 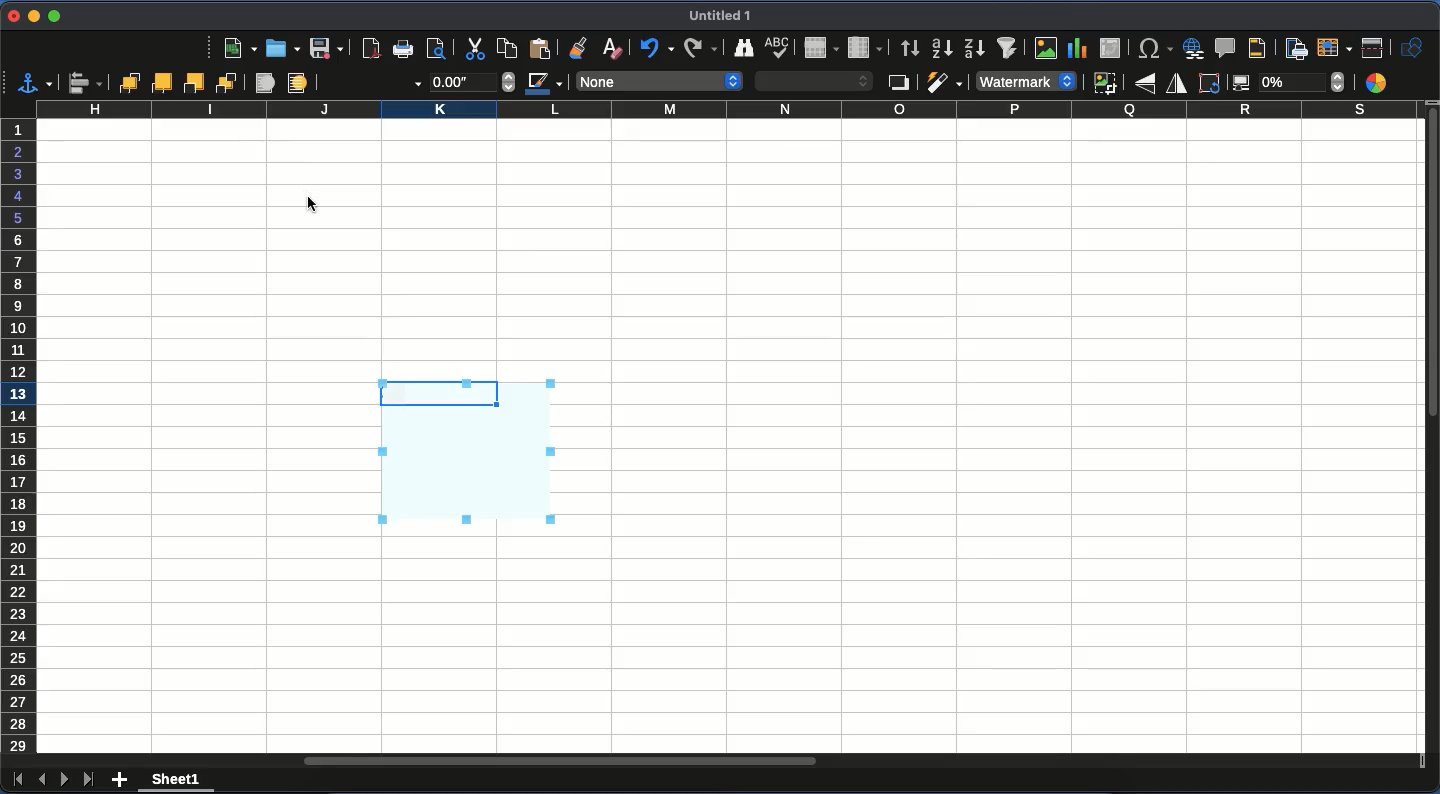 I want to click on shadow, so click(x=898, y=84).